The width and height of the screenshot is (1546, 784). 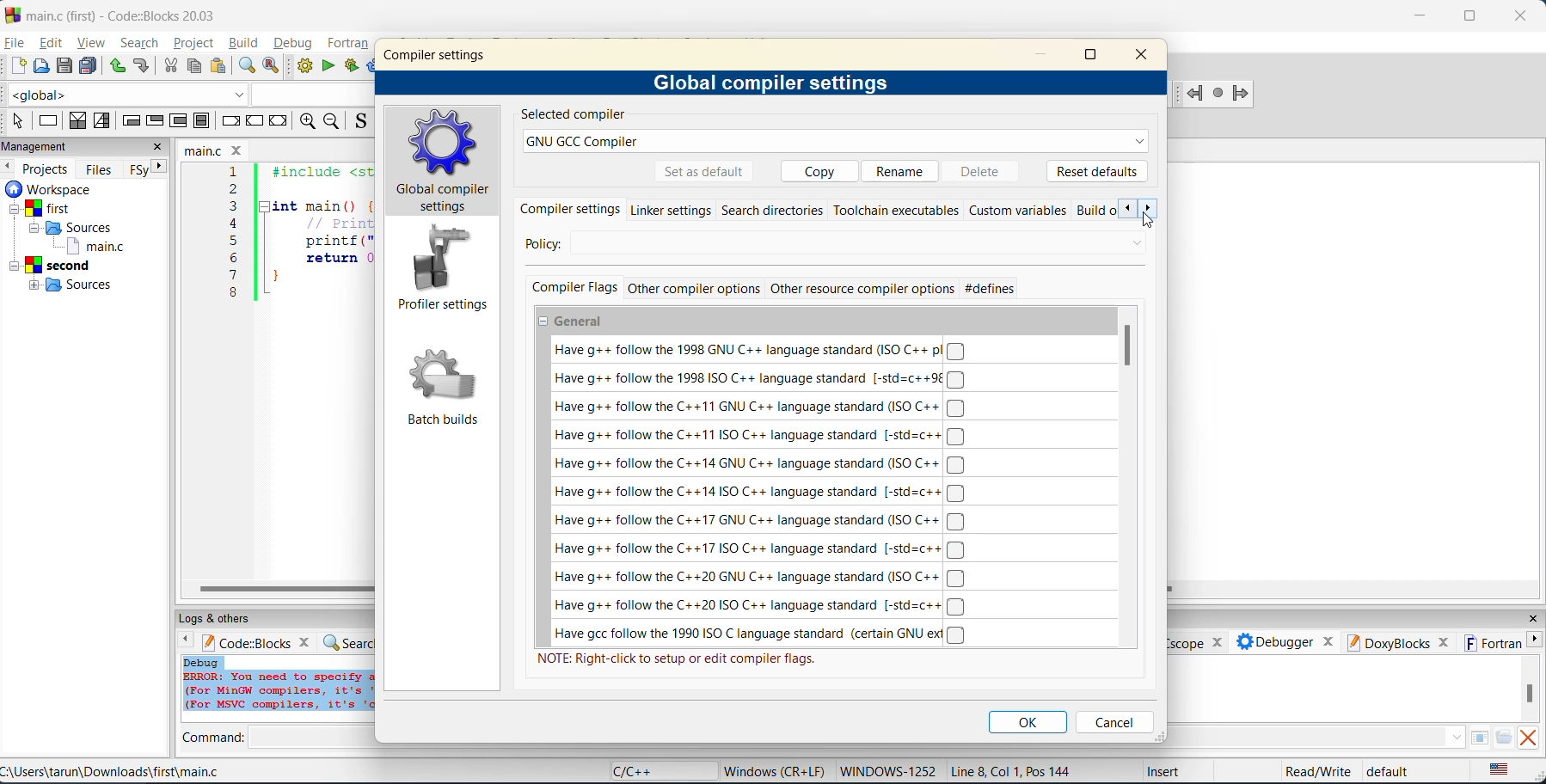 What do you see at coordinates (574, 322) in the screenshot?
I see `general` at bounding box center [574, 322].